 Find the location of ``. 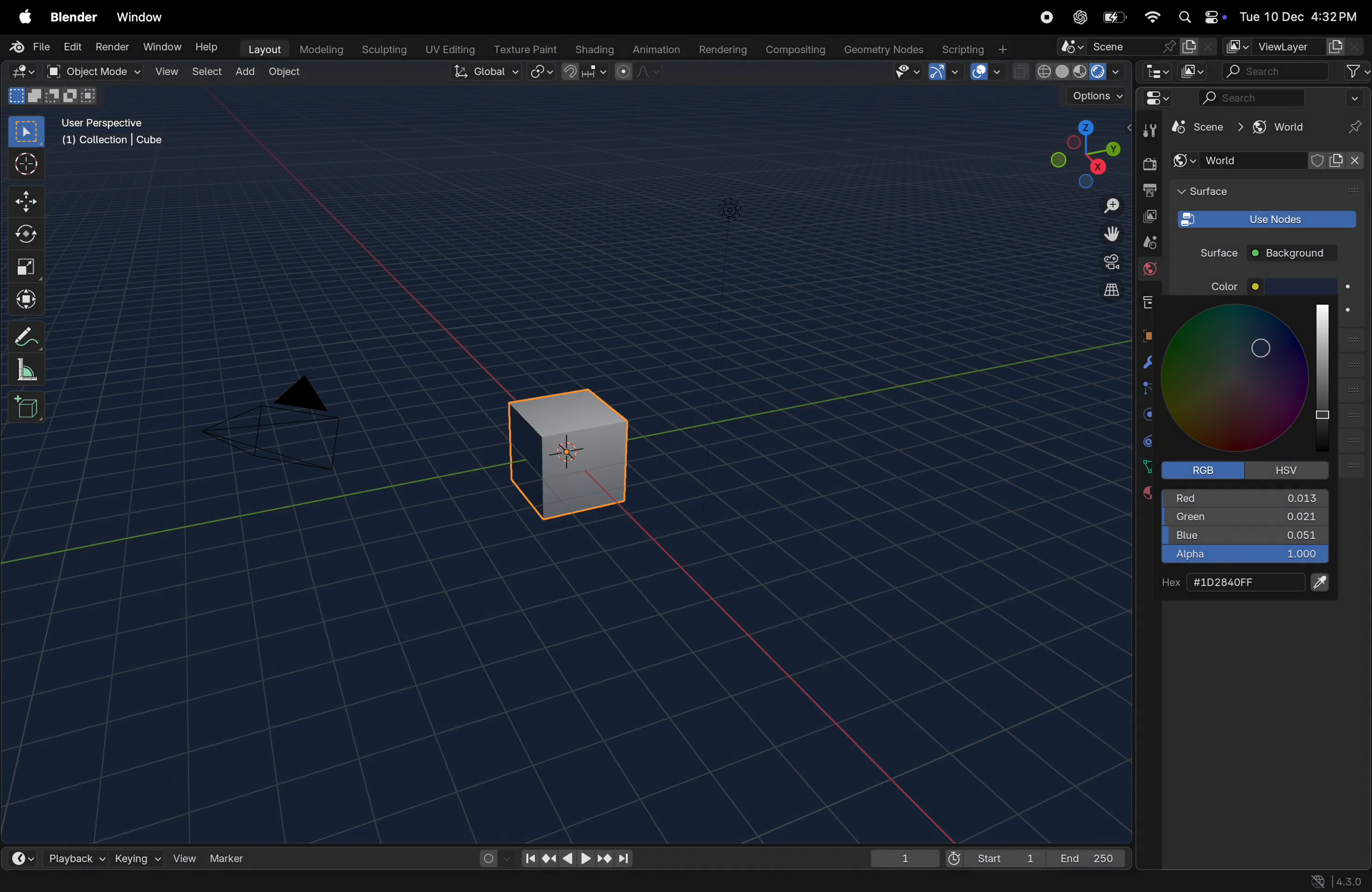

 is located at coordinates (1284, 98).